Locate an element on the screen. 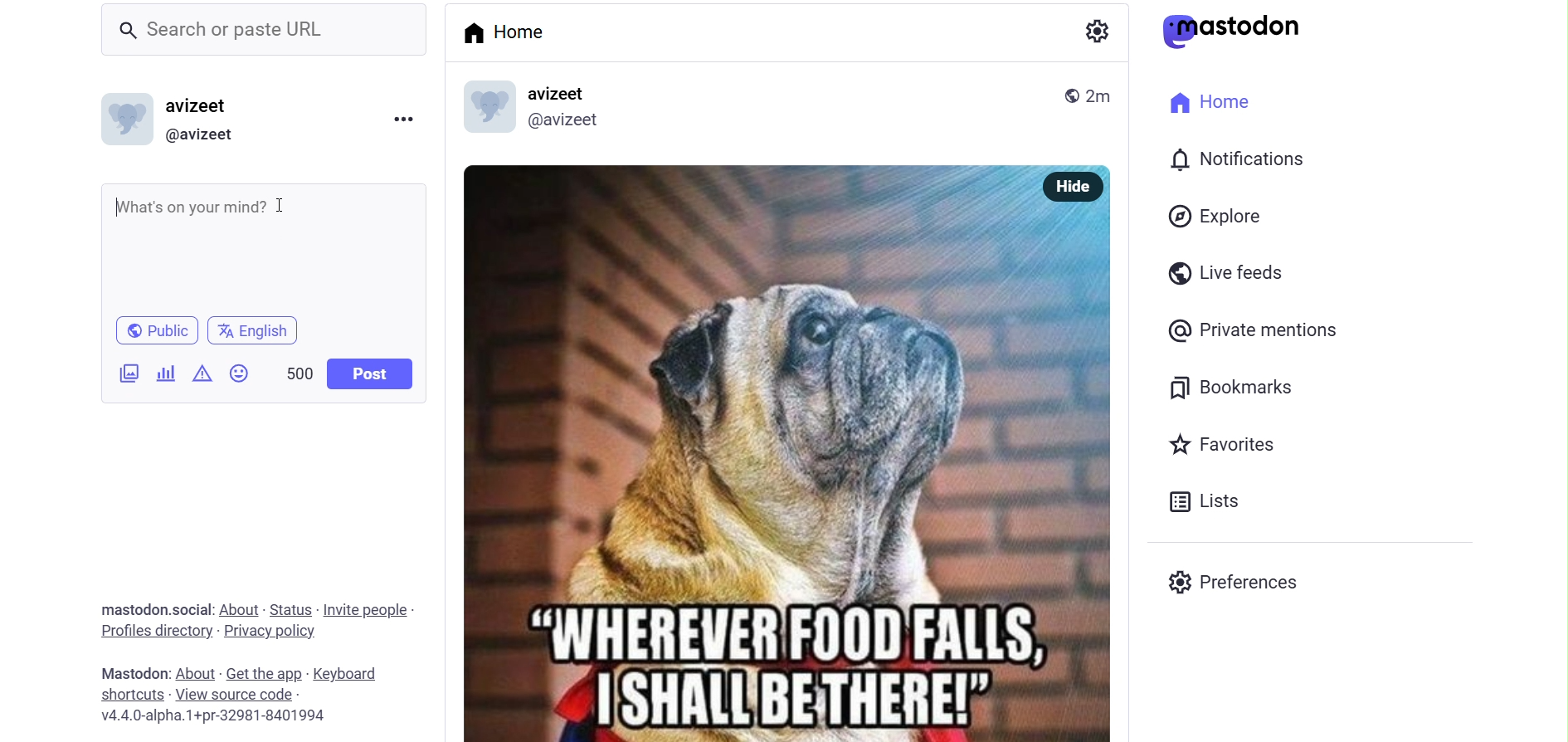  home is located at coordinates (1220, 105).